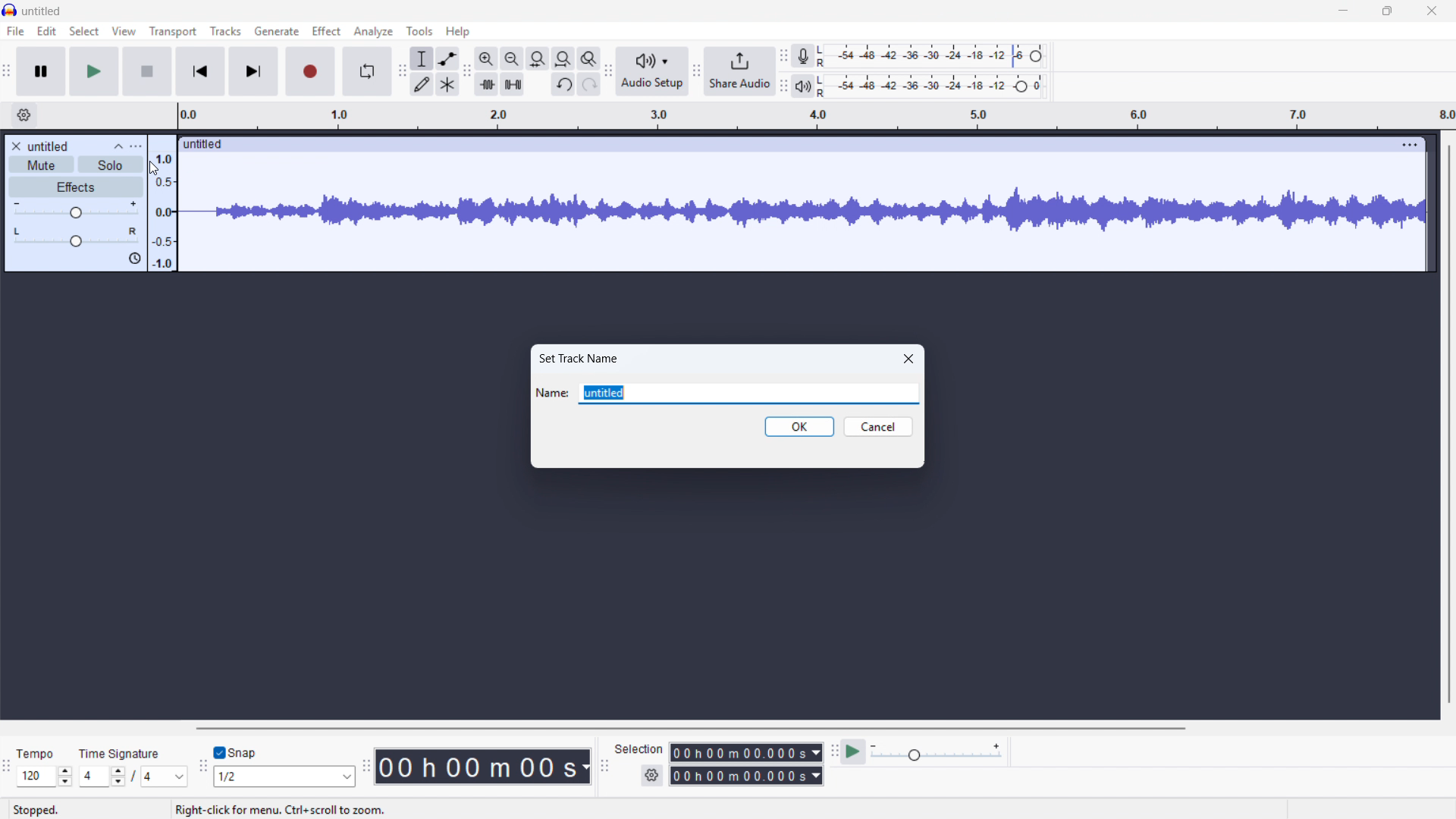 The width and height of the screenshot is (1456, 819). What do you see at coordinates (420, 30) in the screenshot?
I see `Tools ` at bounding box center [420, 30].